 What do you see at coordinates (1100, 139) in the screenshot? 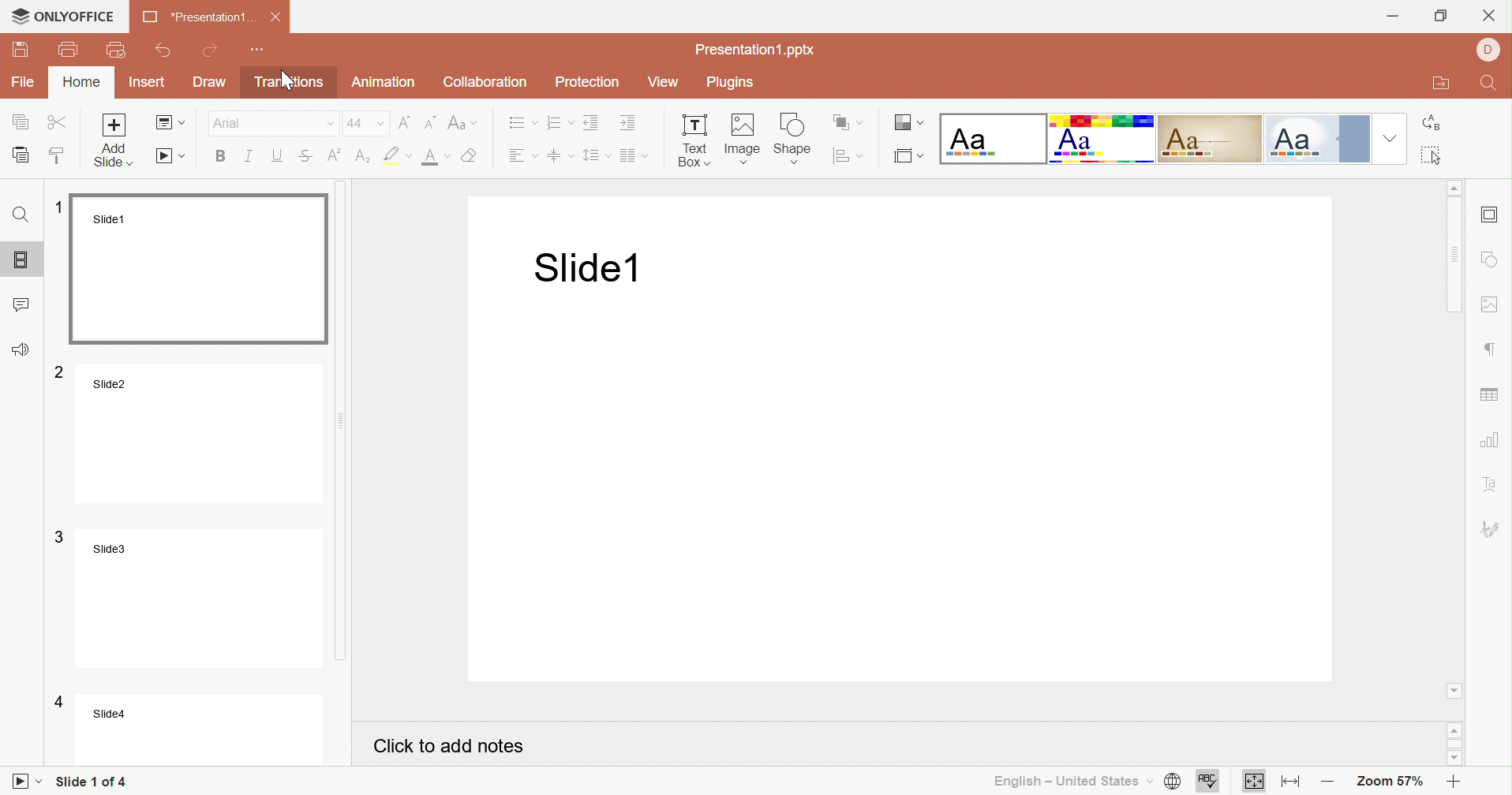
I see `Basic` at bounding box center [1100, 139].